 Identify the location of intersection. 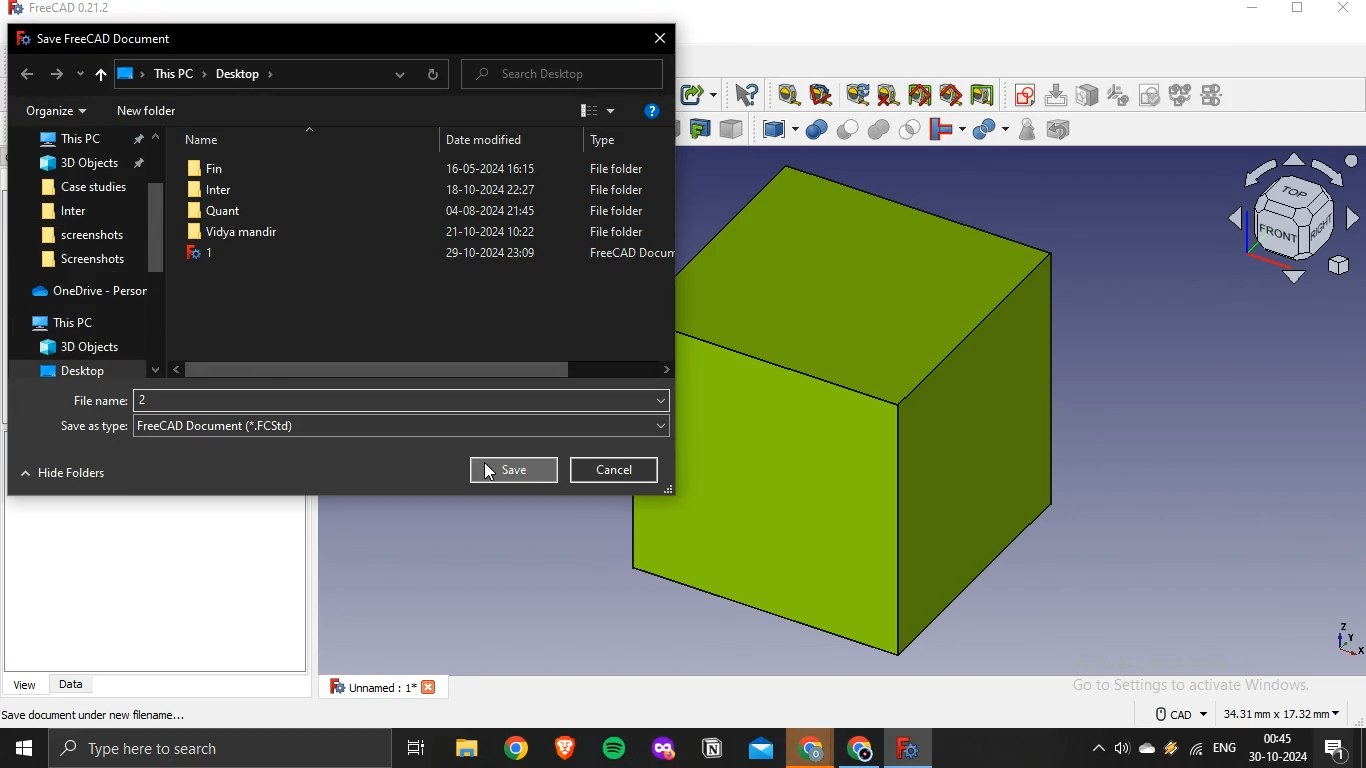
(908, 129).